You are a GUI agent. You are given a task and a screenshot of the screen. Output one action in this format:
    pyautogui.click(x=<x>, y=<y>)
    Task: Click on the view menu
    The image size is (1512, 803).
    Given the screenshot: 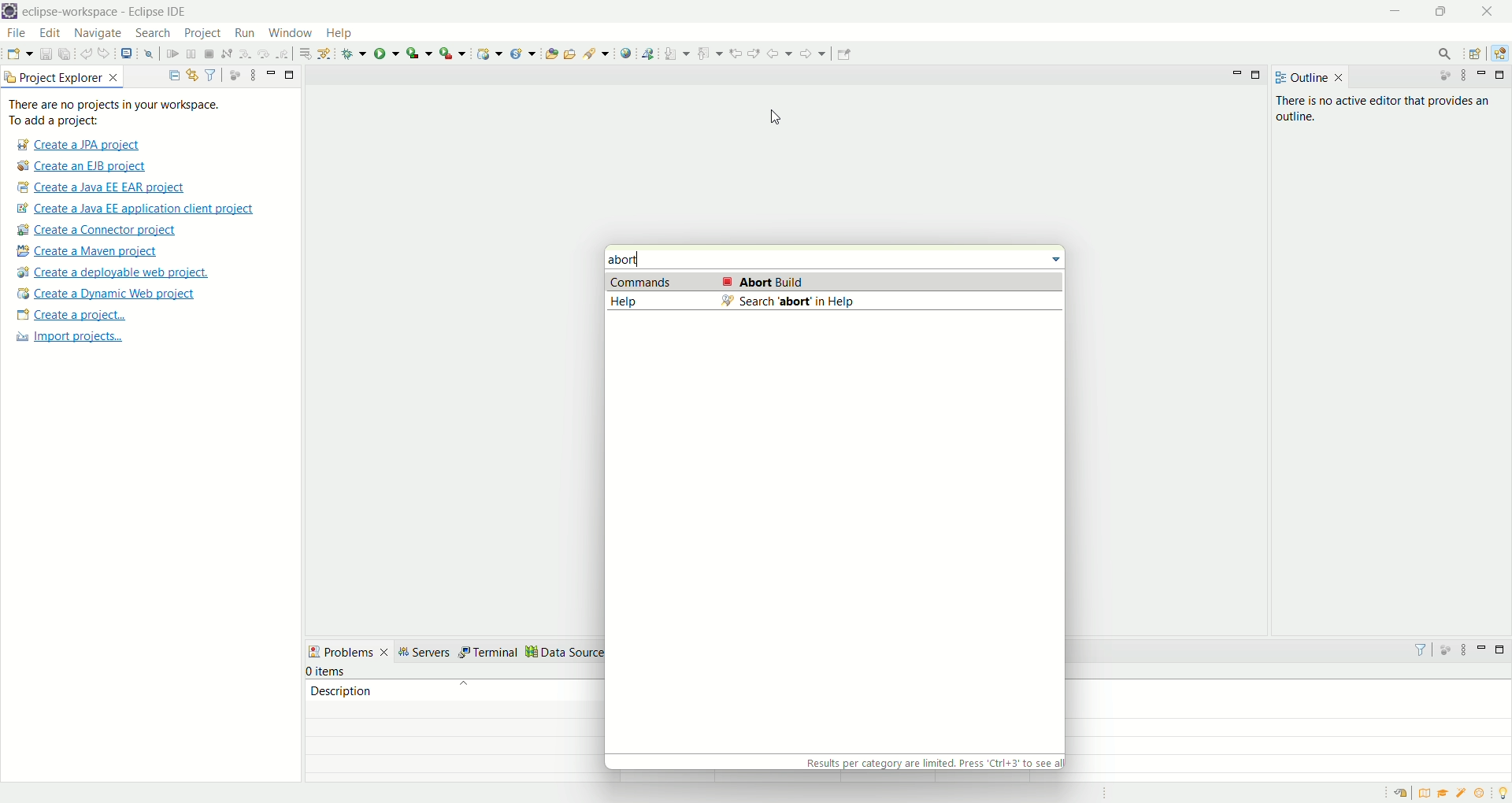 What is the action you would take?
    pyautogui.click(x=1462, y=76)
    